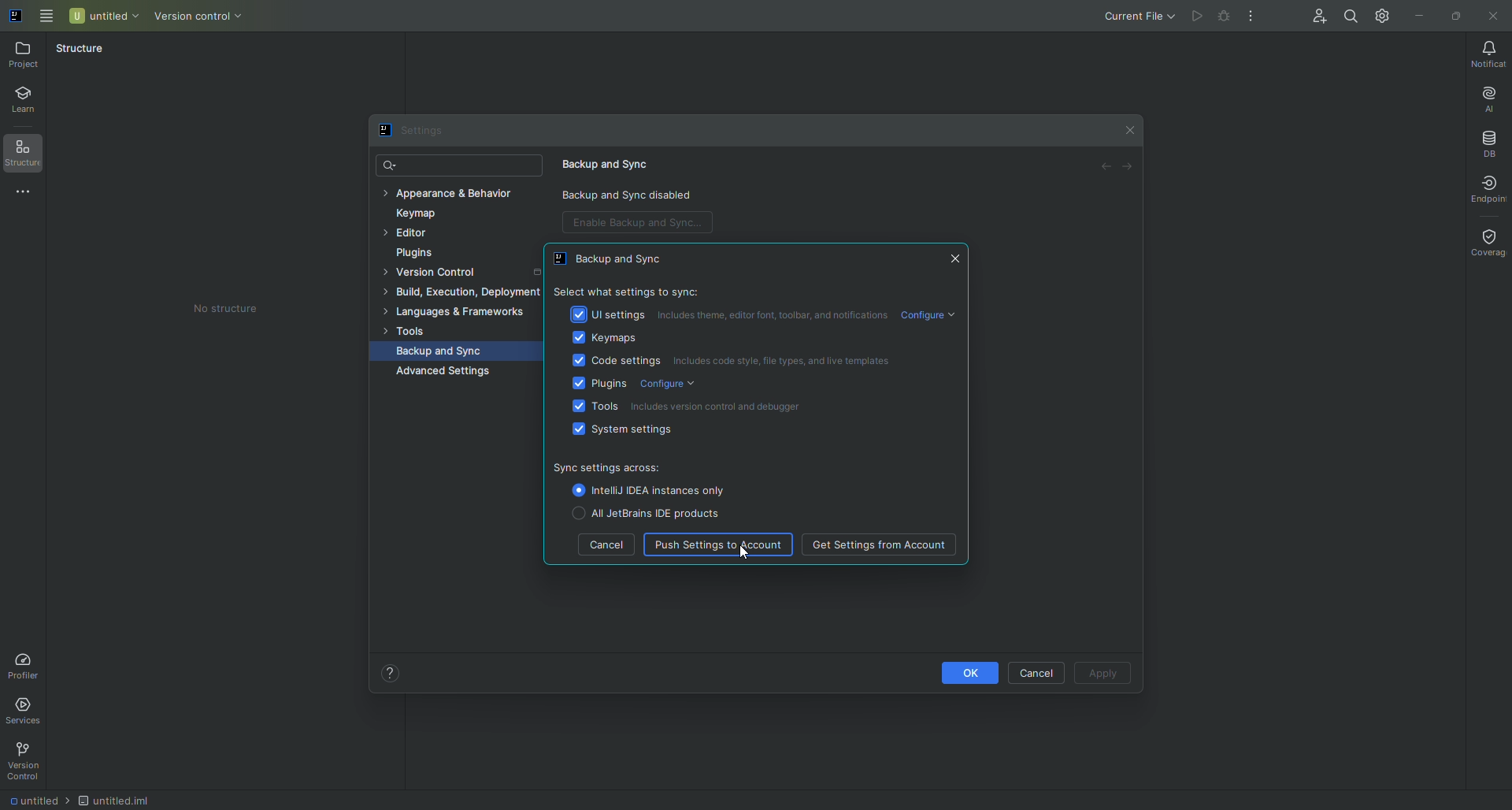 This screenshot has height=810, width=1512. Describe the element at coordinates (603, 336) in the screenshot. I see `Keymaps` at that location.